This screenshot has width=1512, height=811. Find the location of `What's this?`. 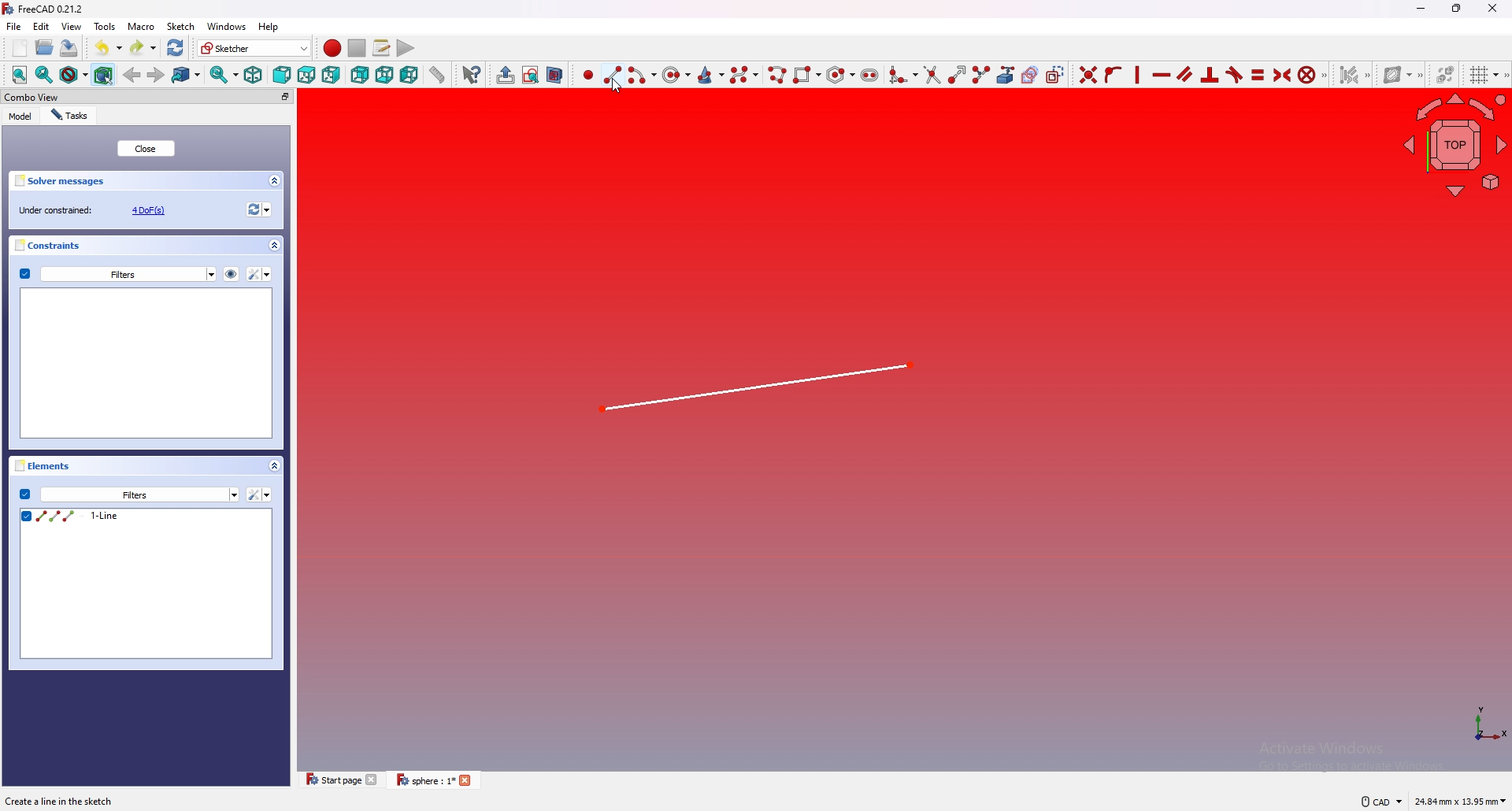

What's this? is located at coordinates (470, 74).